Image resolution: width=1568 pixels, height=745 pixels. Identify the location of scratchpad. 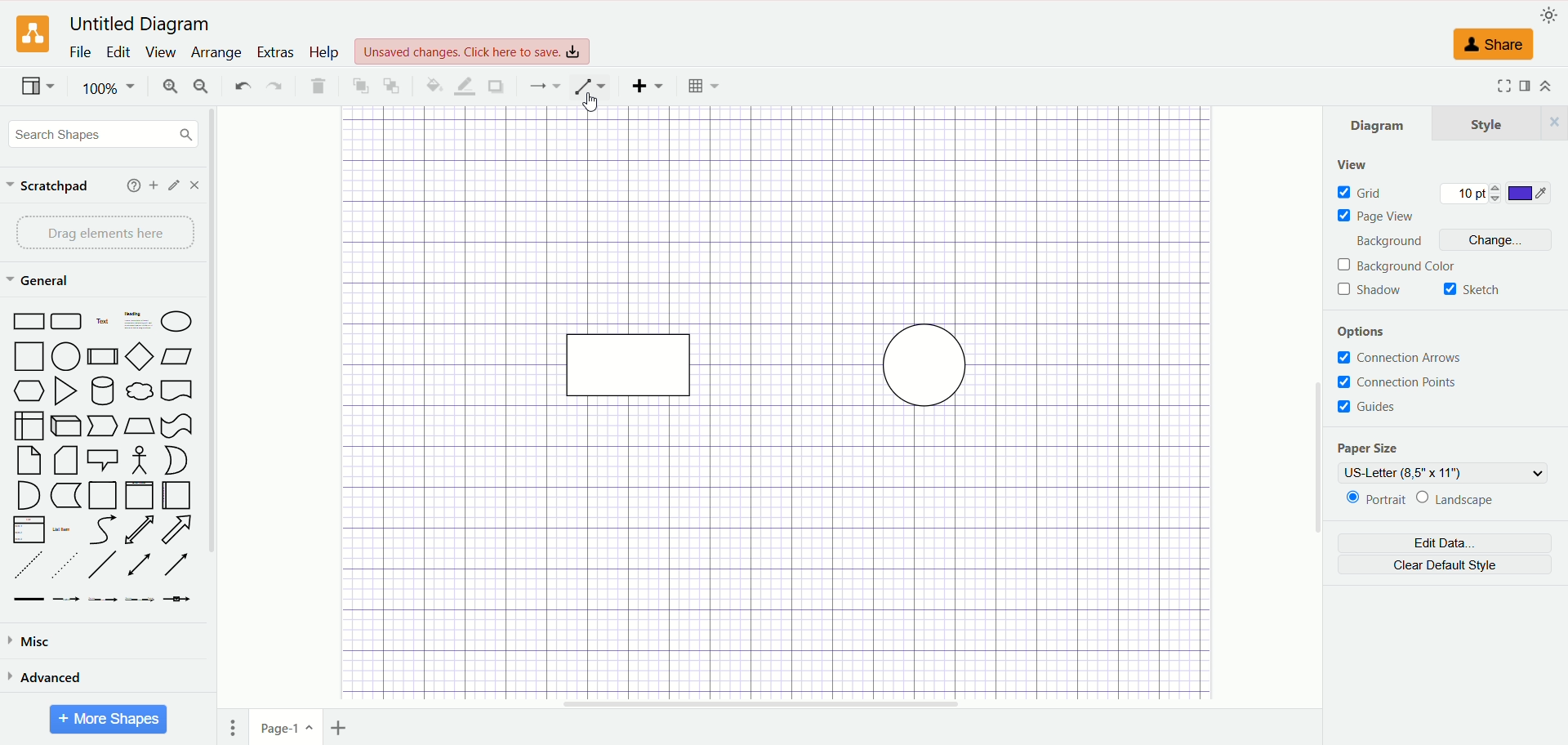
(46, 185).